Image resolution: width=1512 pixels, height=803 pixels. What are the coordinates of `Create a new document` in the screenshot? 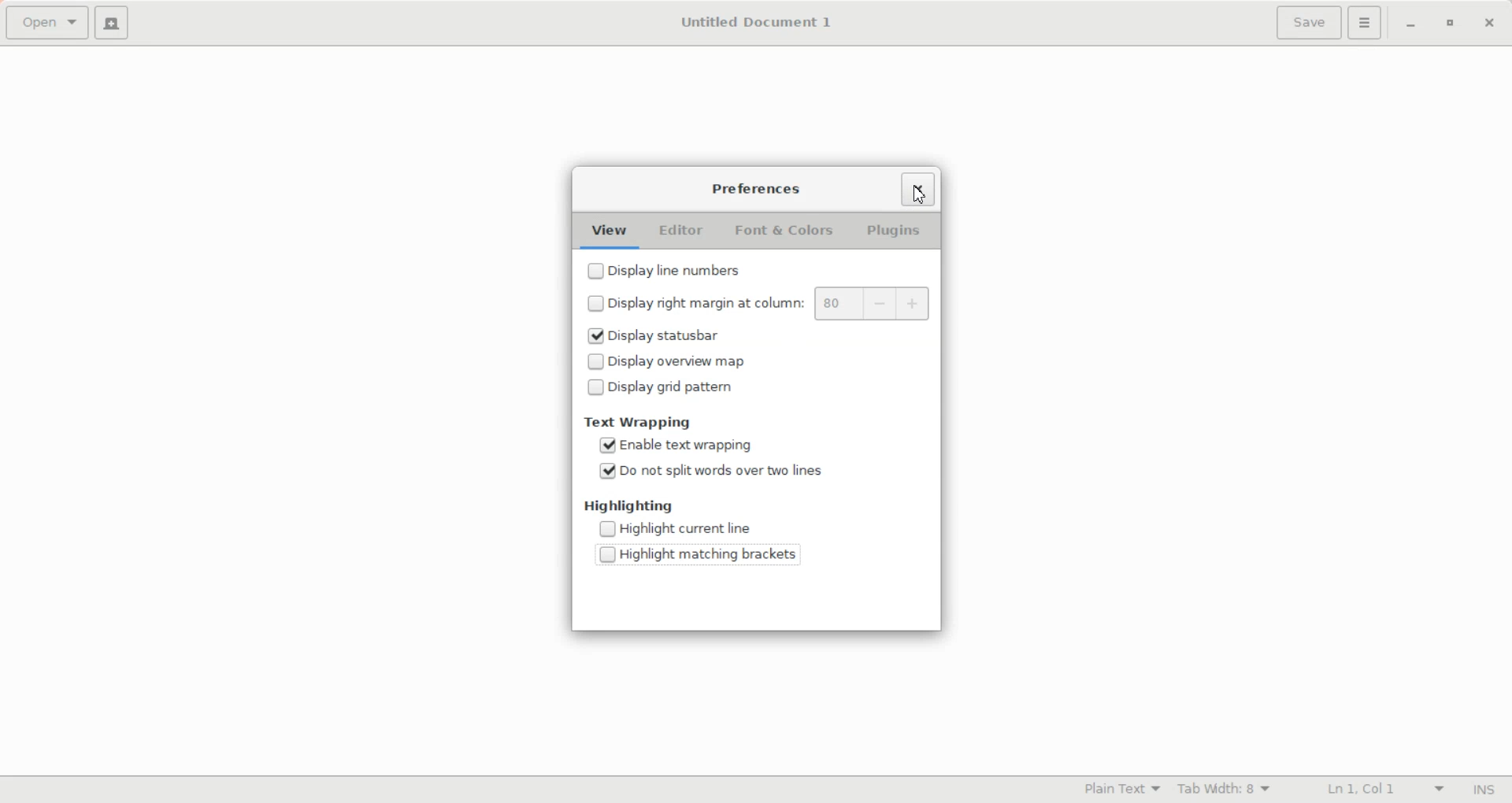 It's located at (111, 22).